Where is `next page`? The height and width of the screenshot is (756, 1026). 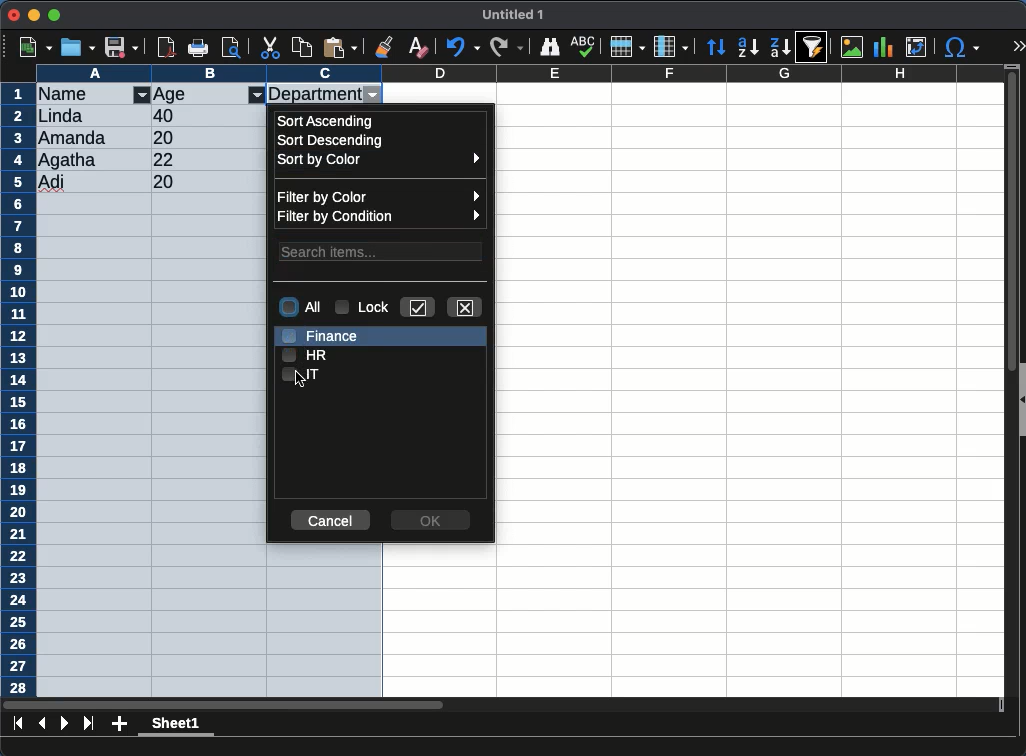
next page is located at coordinates (65, 723).